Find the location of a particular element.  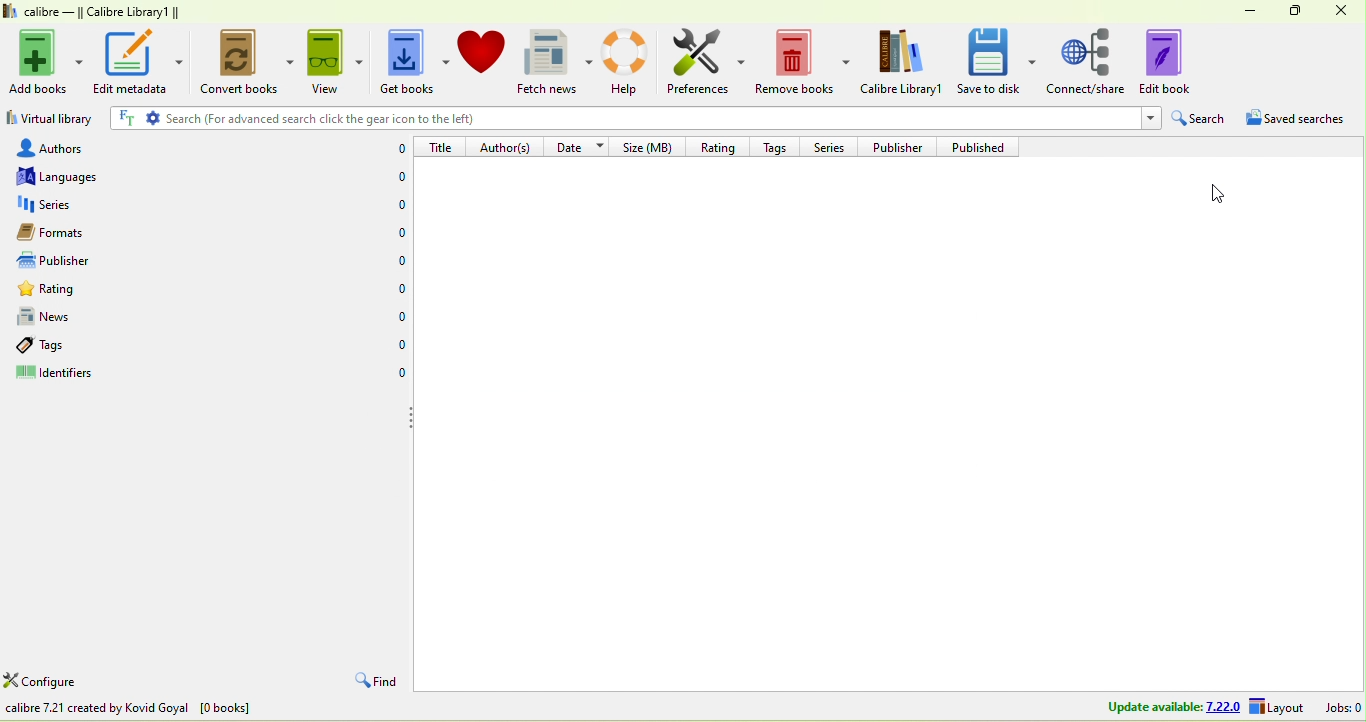

remove books is located at coordinates (804, 63).